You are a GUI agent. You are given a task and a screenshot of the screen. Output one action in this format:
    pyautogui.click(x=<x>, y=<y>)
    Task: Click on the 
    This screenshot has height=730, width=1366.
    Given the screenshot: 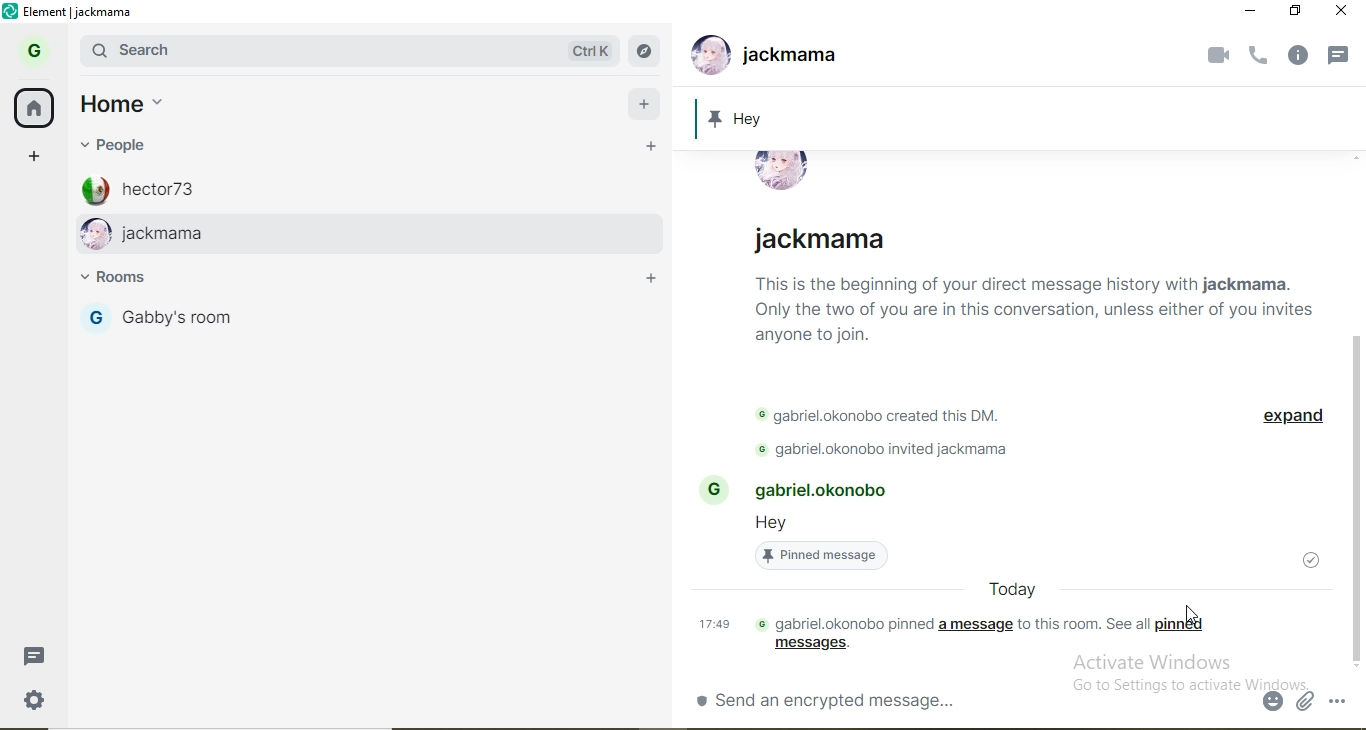 What is the action you would take?
    pyautogui.click(x=1311, y=564)
    